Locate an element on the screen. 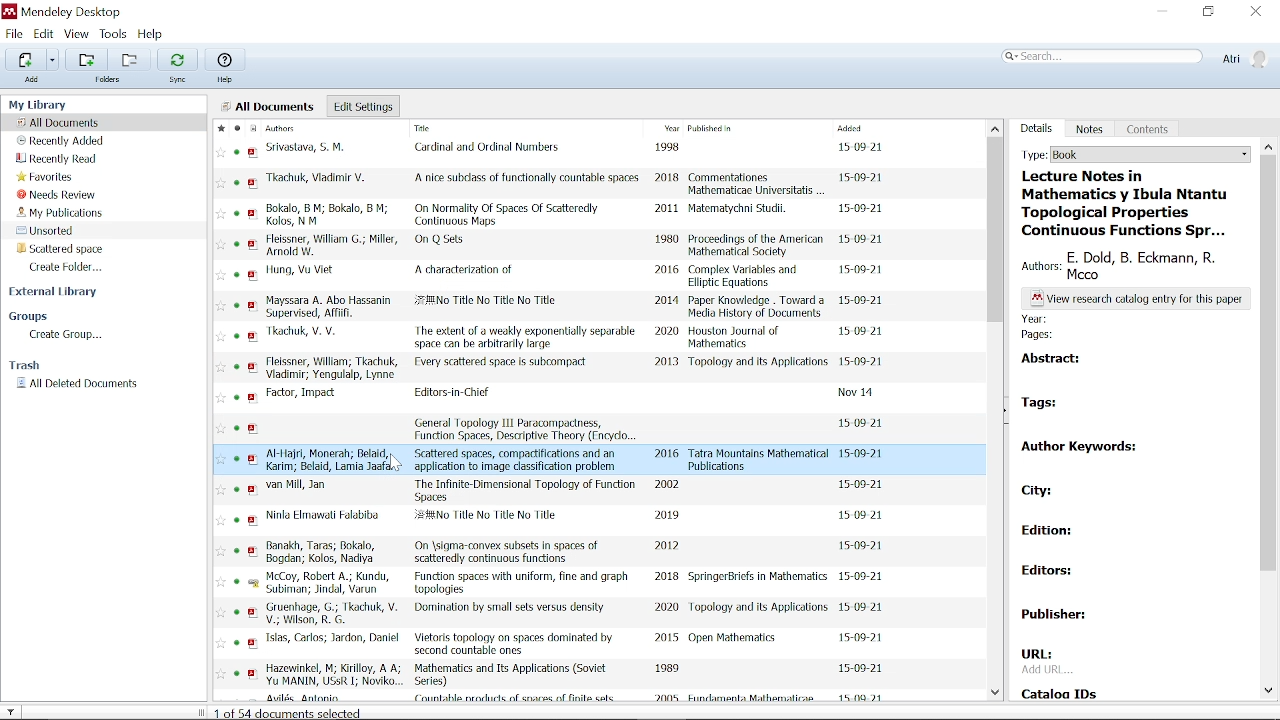  title is located at coordinates (508, 552).